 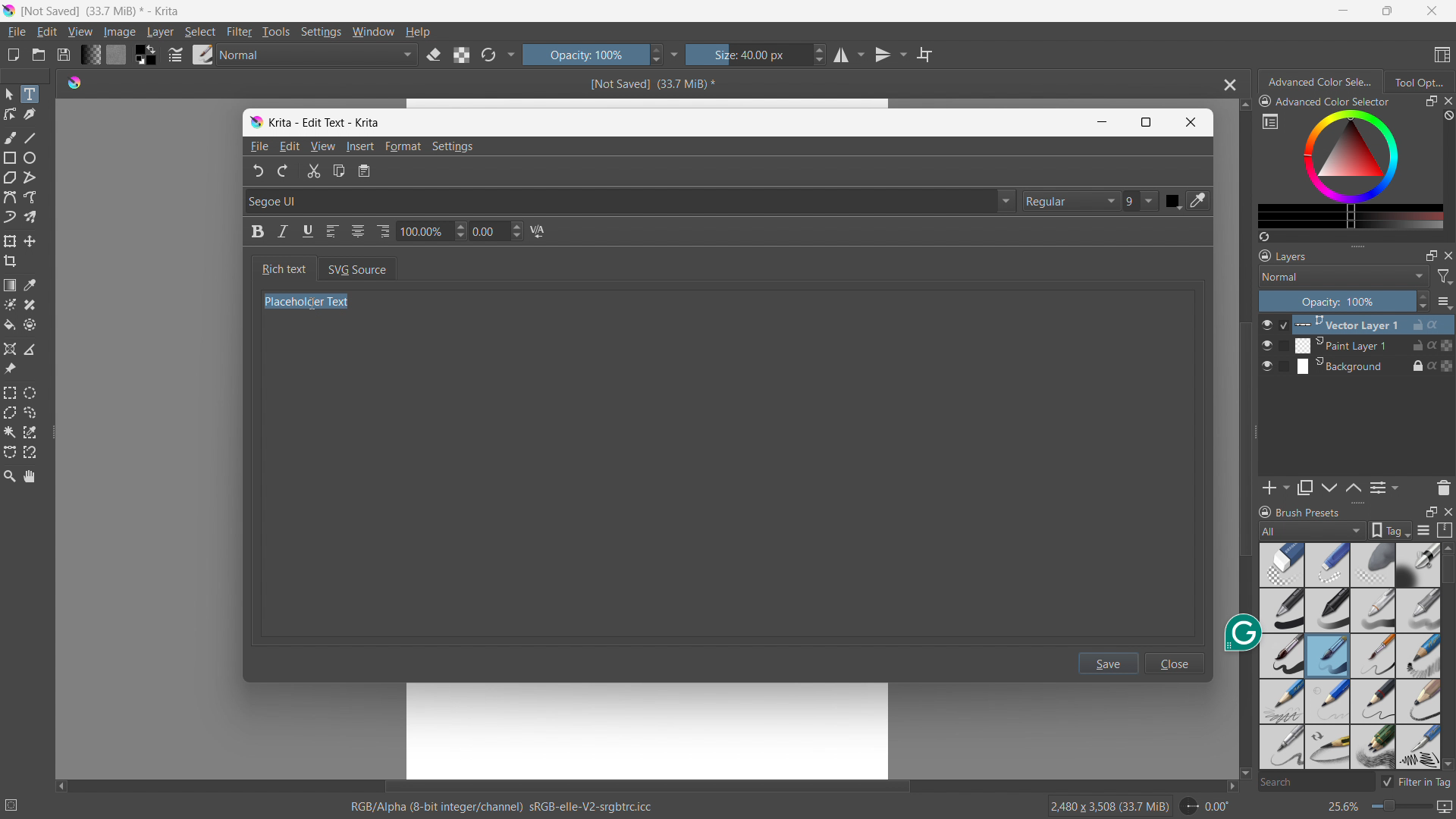 I want to click on copy, so click(x=340, y=171).